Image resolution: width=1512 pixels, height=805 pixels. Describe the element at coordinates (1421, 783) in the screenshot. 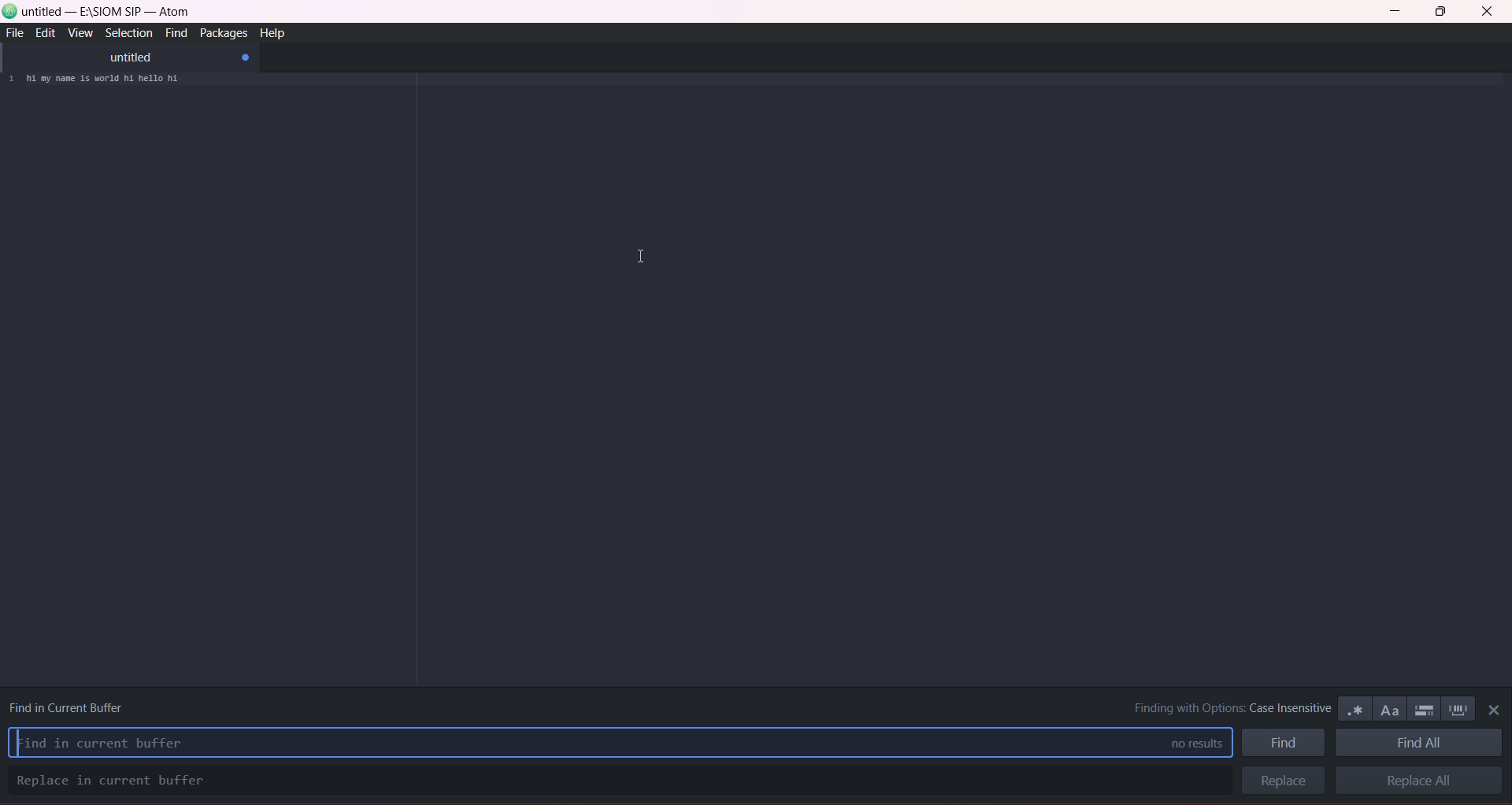

I see `replace all` at that location.